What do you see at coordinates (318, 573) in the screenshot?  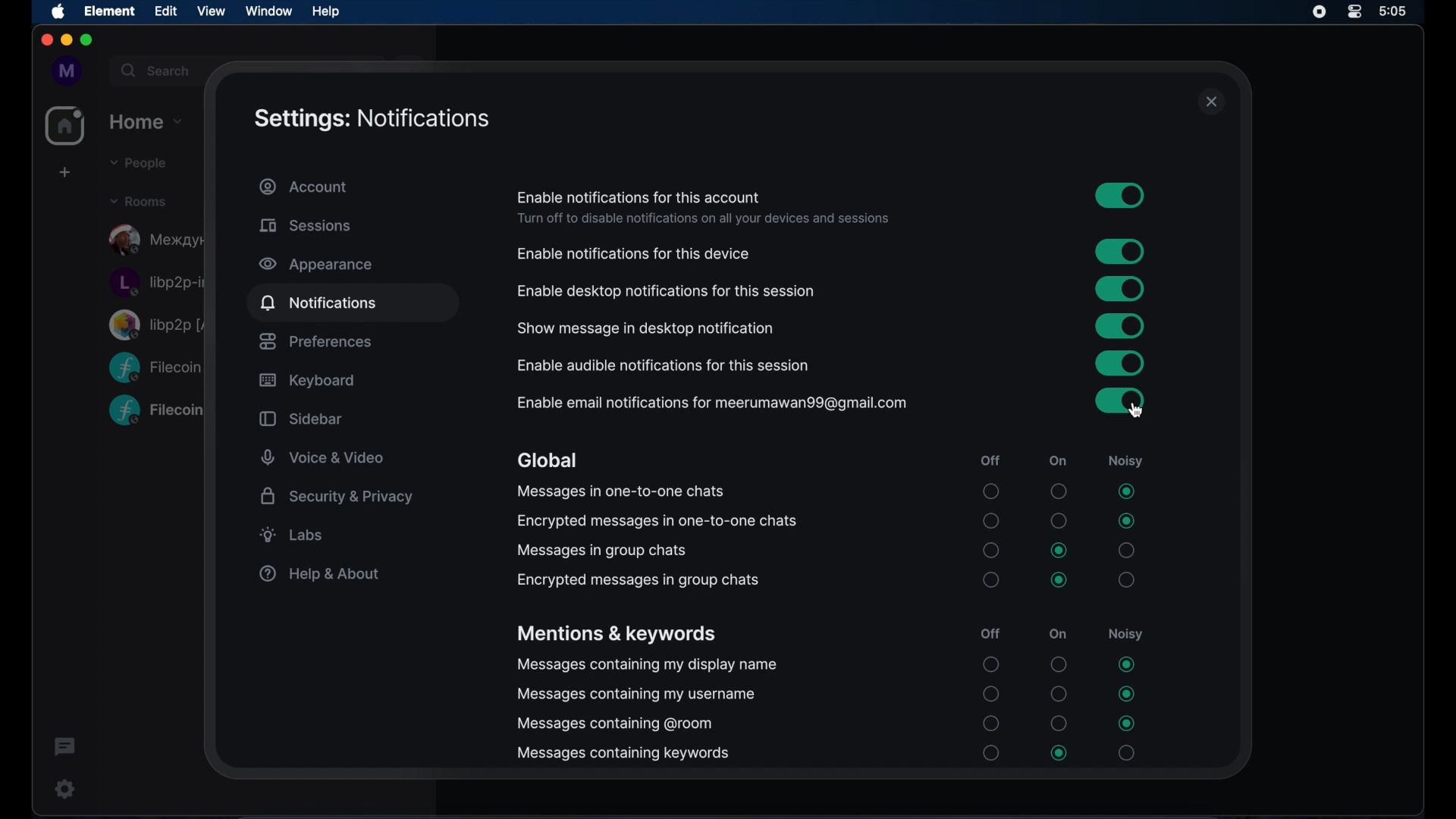 I see `help and about` at bounding box center [318, 573].